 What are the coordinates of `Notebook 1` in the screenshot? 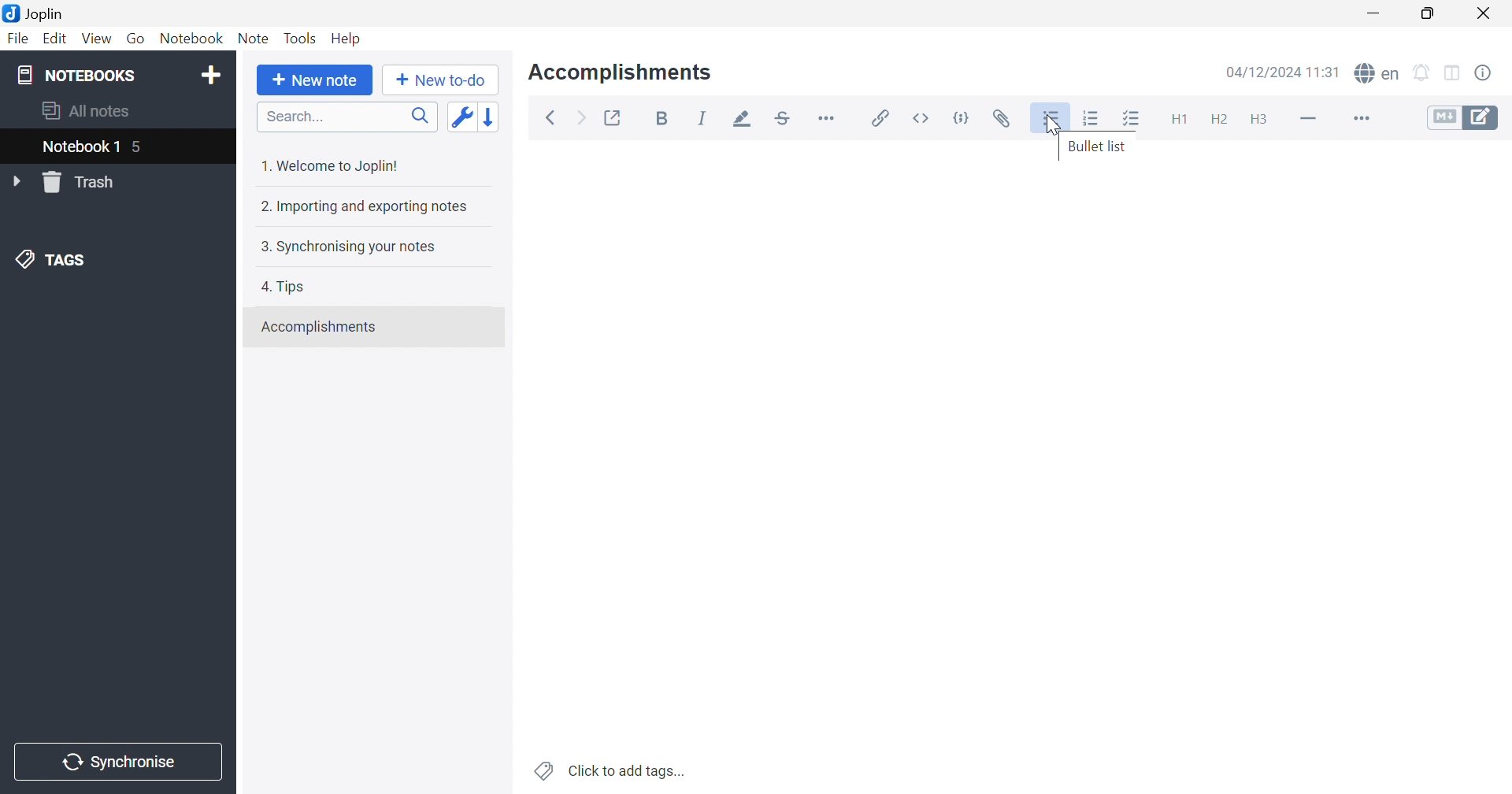 It's located at (80, 147).